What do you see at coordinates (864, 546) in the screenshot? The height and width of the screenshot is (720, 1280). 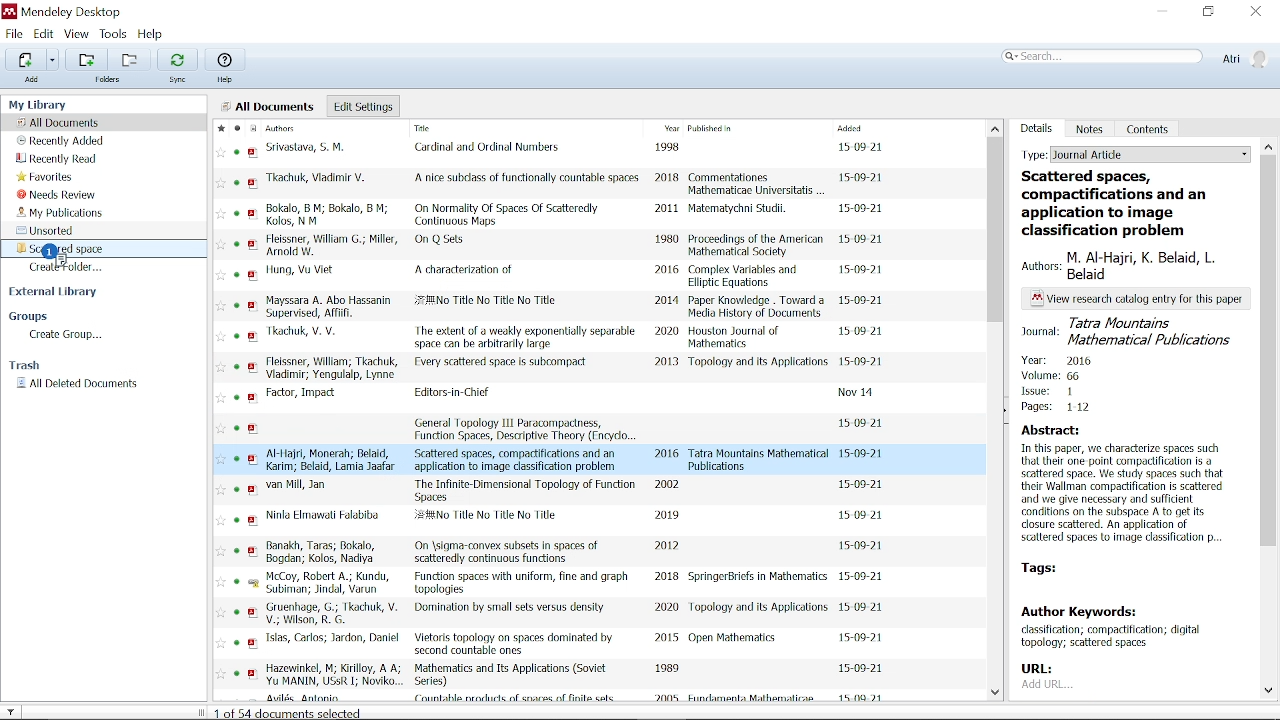 I see `date` at bounding box center [864, 546].